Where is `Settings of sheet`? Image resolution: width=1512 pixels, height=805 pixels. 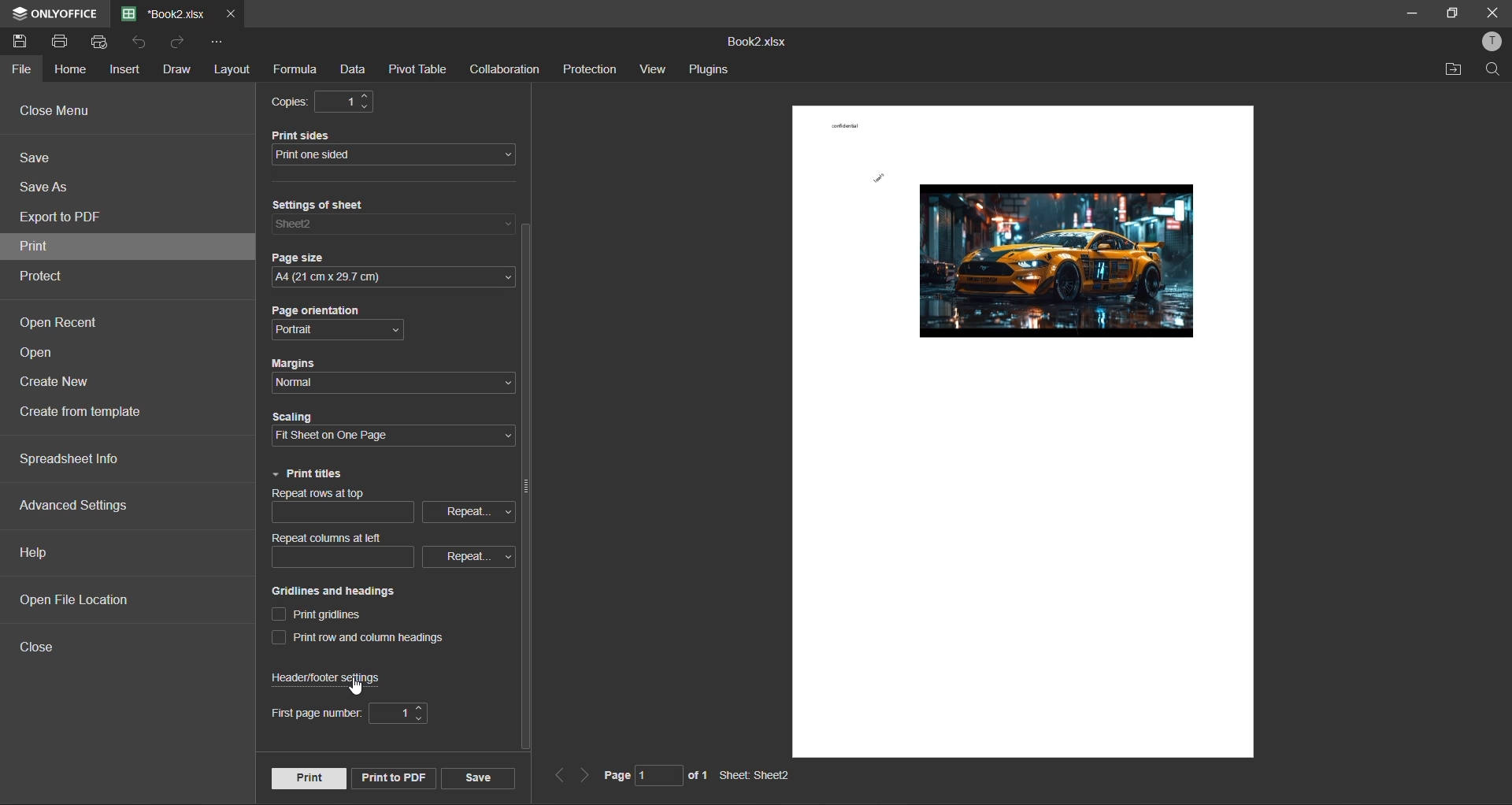 Settings of sheet is located at coordinates (323, 203).